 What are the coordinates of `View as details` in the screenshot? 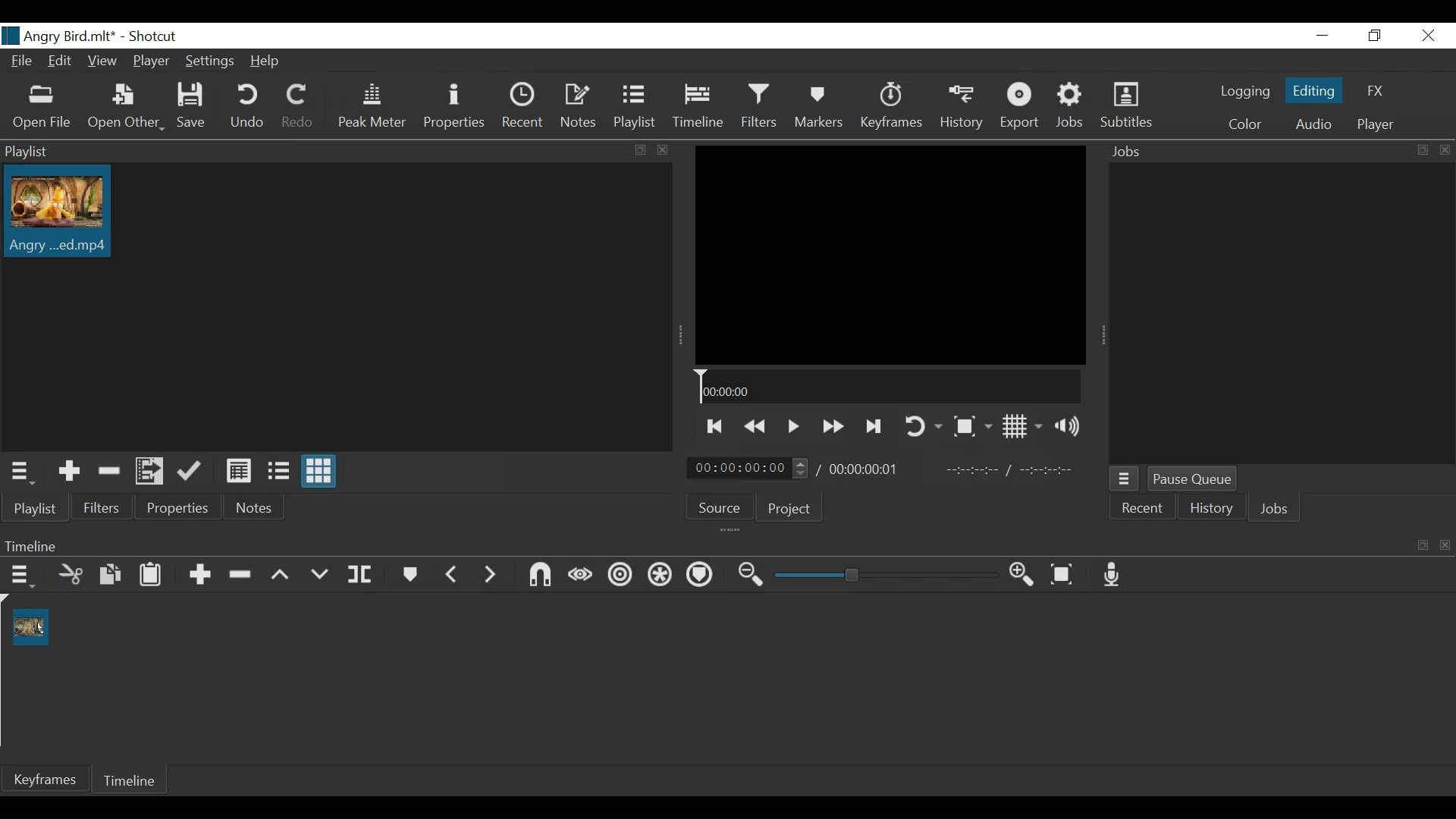 It's located at (238, 471).